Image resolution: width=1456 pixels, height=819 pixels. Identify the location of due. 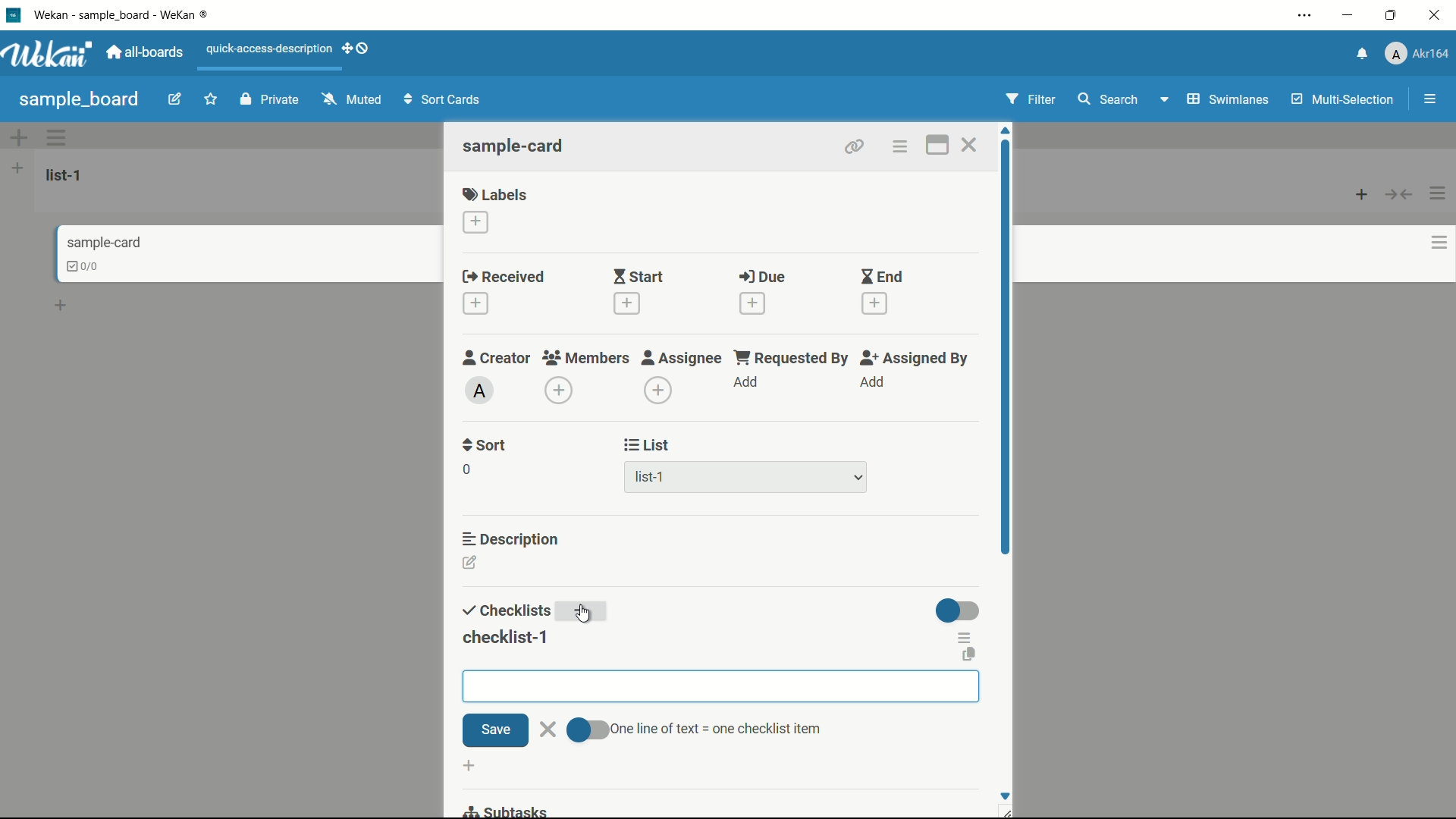
(762, 278).